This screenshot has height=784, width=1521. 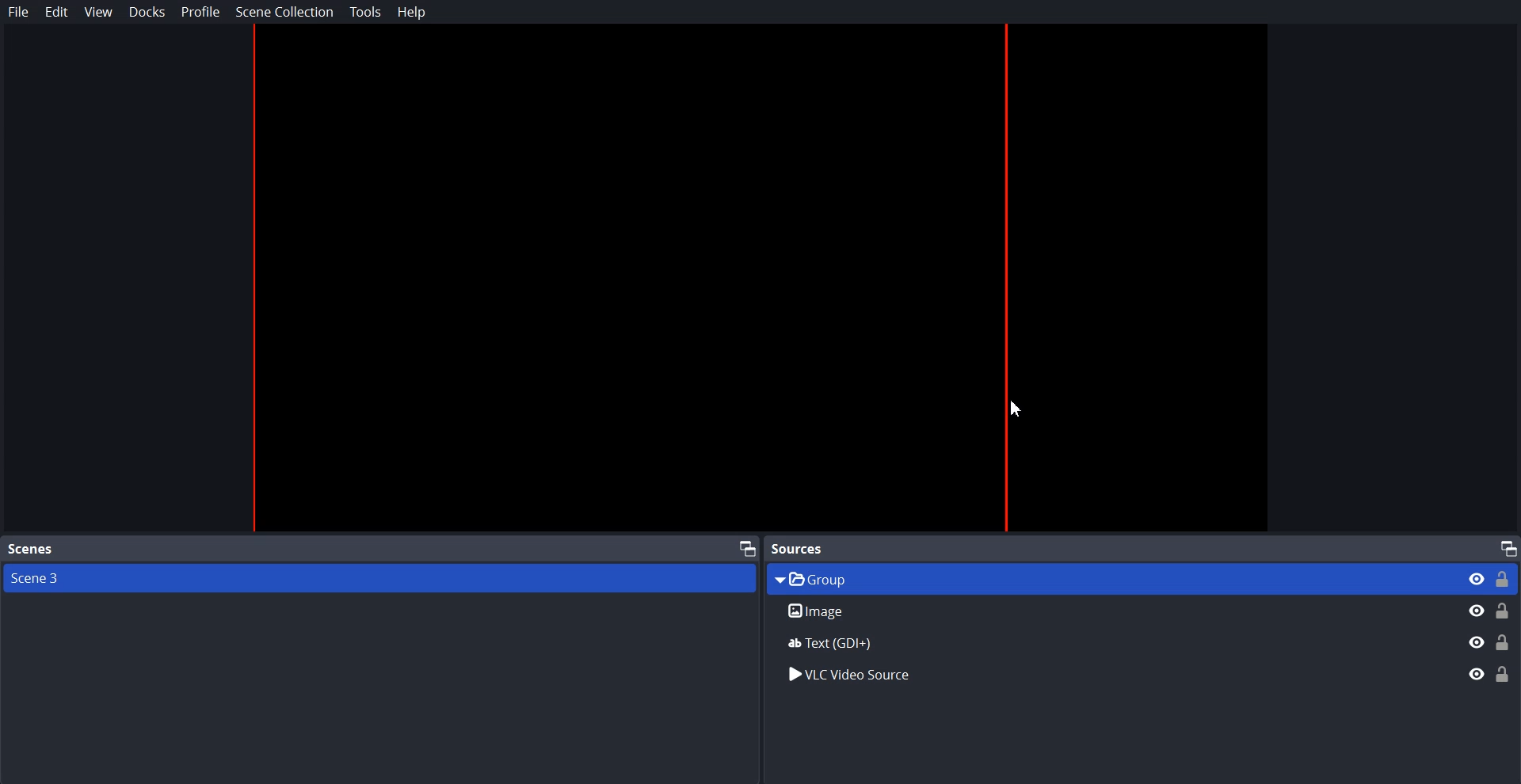 What do you see at coordinates (1144, 611) in the screenshot?
I see `Rename` at bounding box center [1144, 611].